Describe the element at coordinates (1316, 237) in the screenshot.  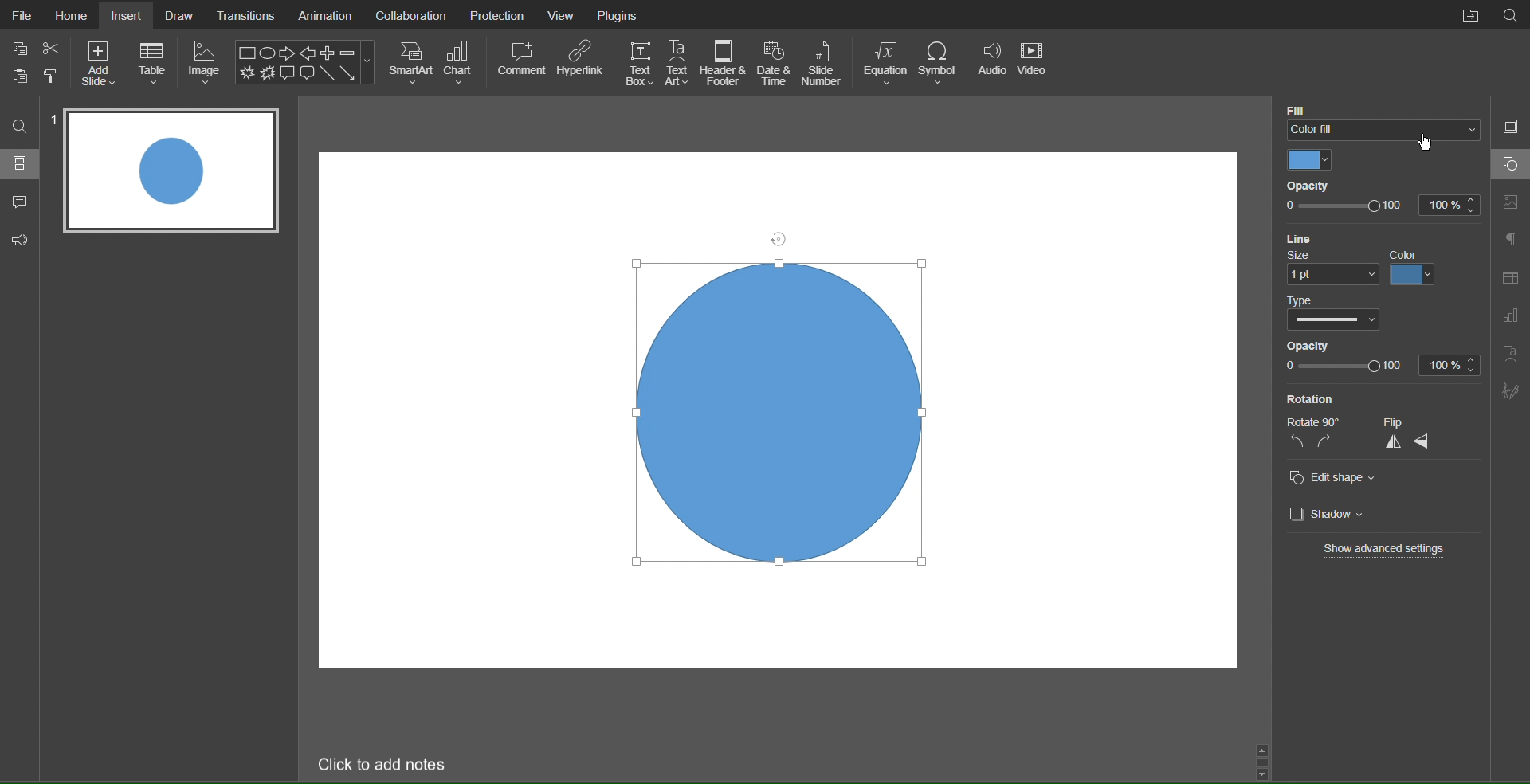
I see `Line Settings` at that location.